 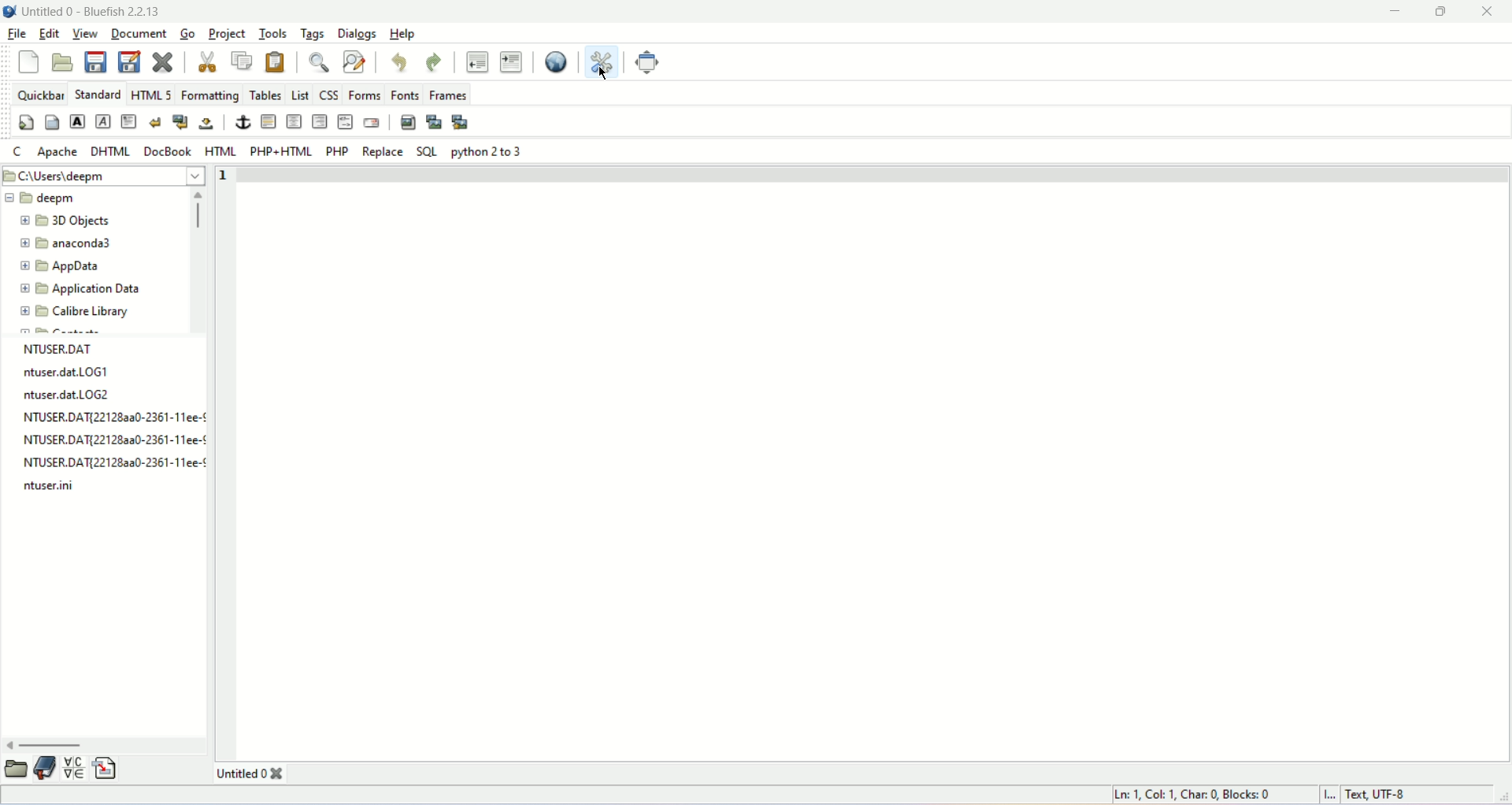 I want to click on advanced find and replace, so click(x=353, y=61).